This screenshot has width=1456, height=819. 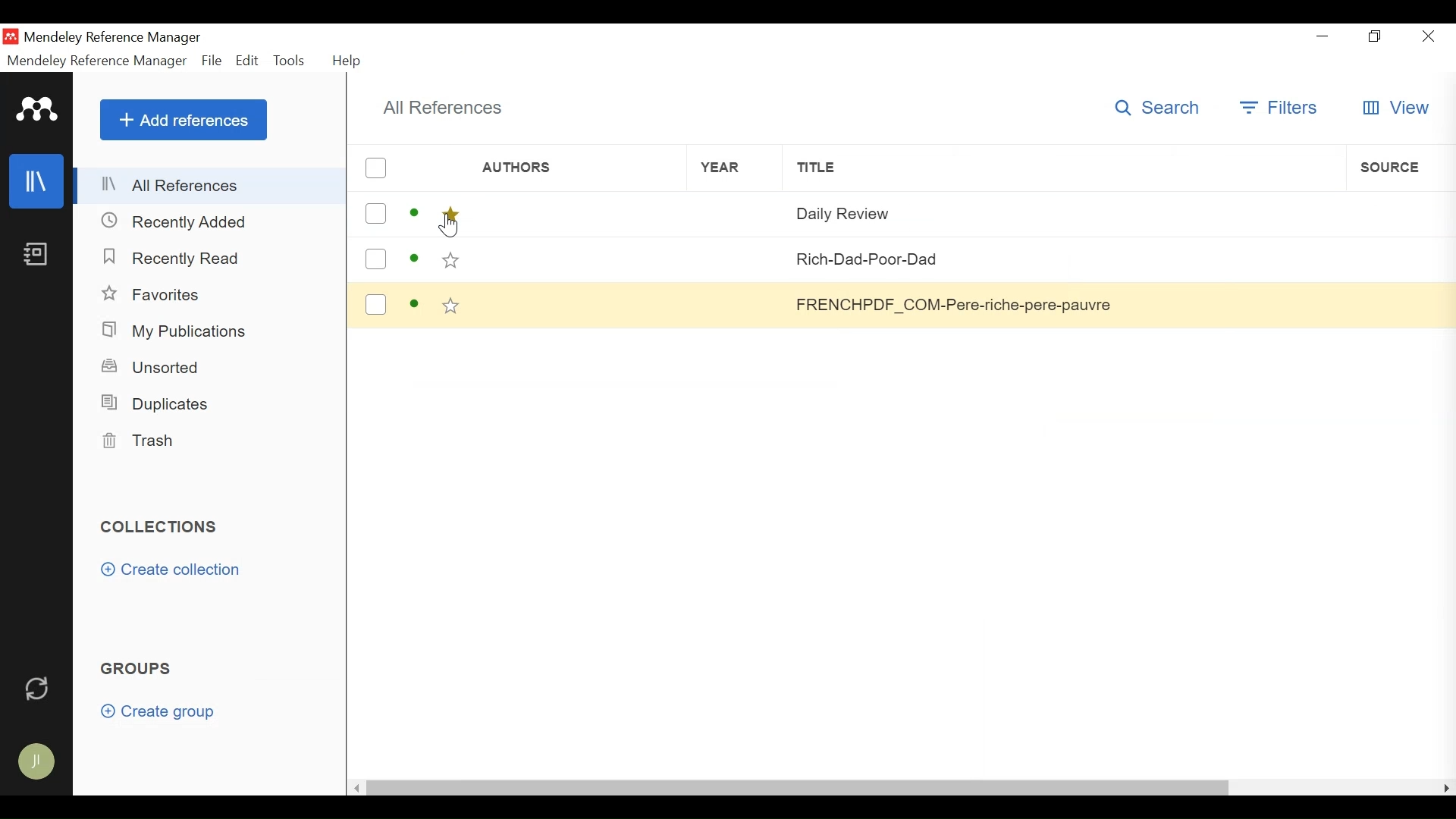 I want to click on Duplicates, so click(x=158, y=403).